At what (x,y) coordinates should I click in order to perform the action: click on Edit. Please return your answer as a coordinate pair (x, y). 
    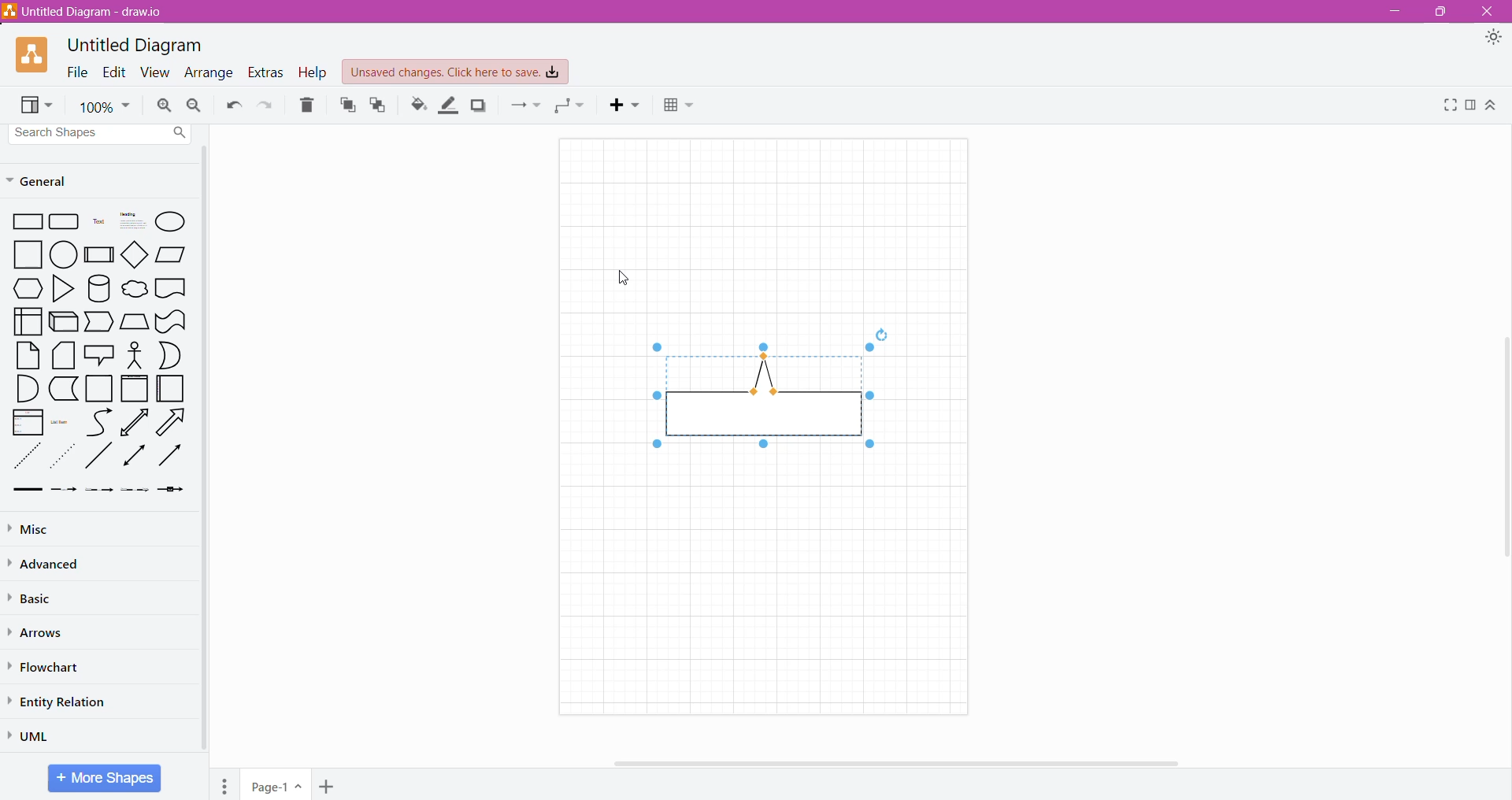
    Looking at the image, I should click on (114, 72).